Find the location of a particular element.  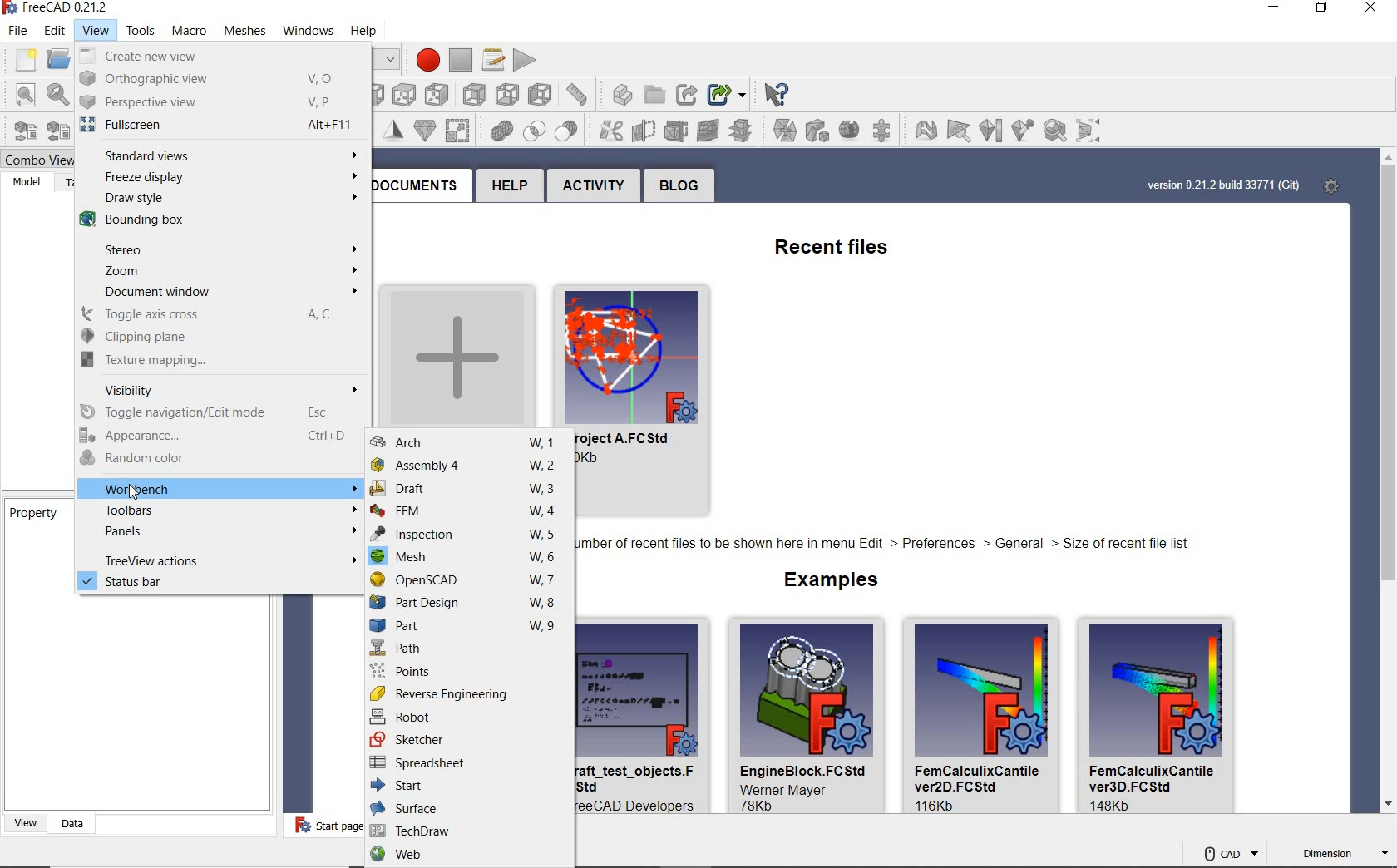

fullscreen is located at coordinates (214, 125).